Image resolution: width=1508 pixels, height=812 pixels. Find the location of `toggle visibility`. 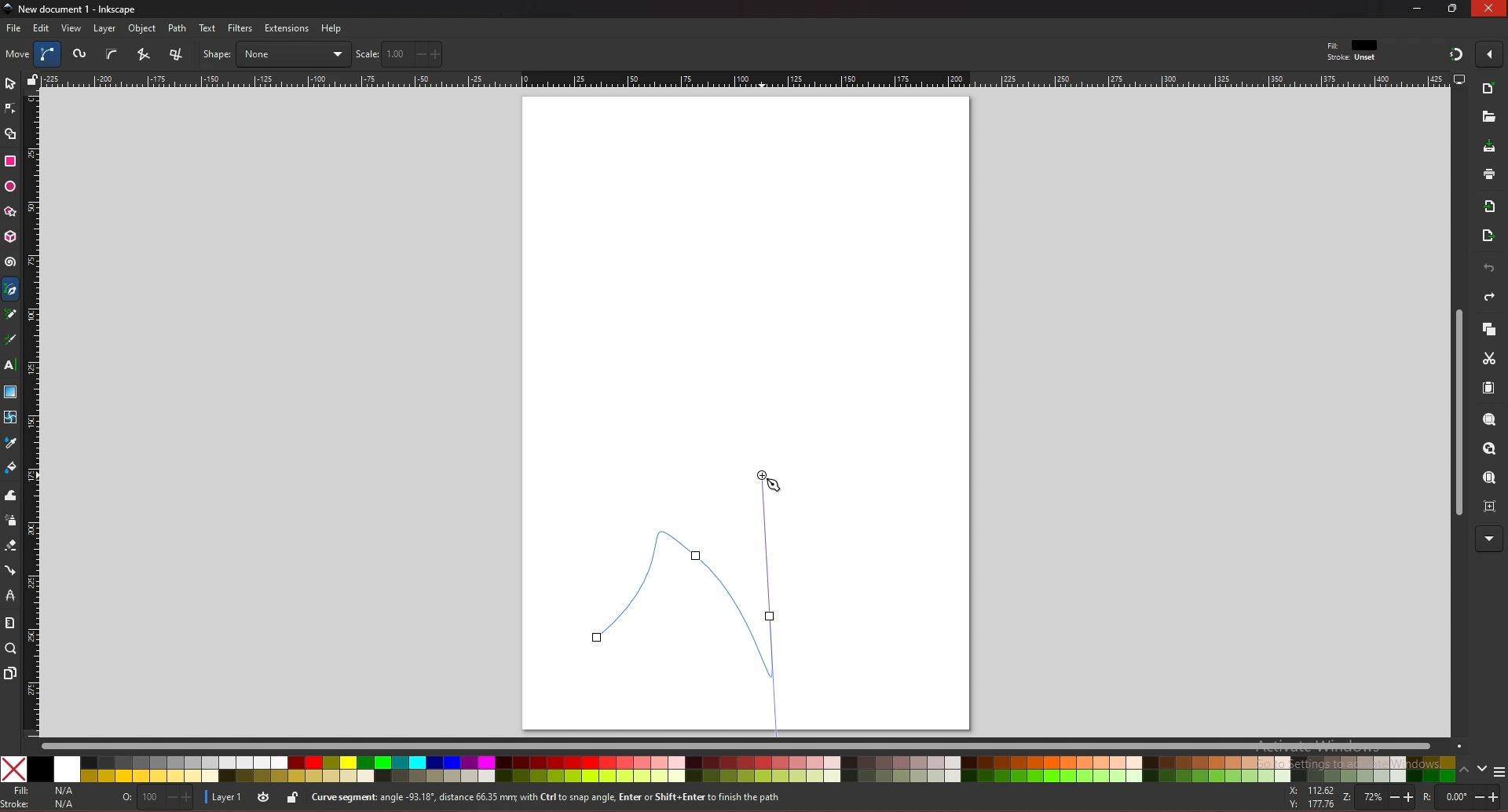

toggle visibility is located at coordinates (265, 797).